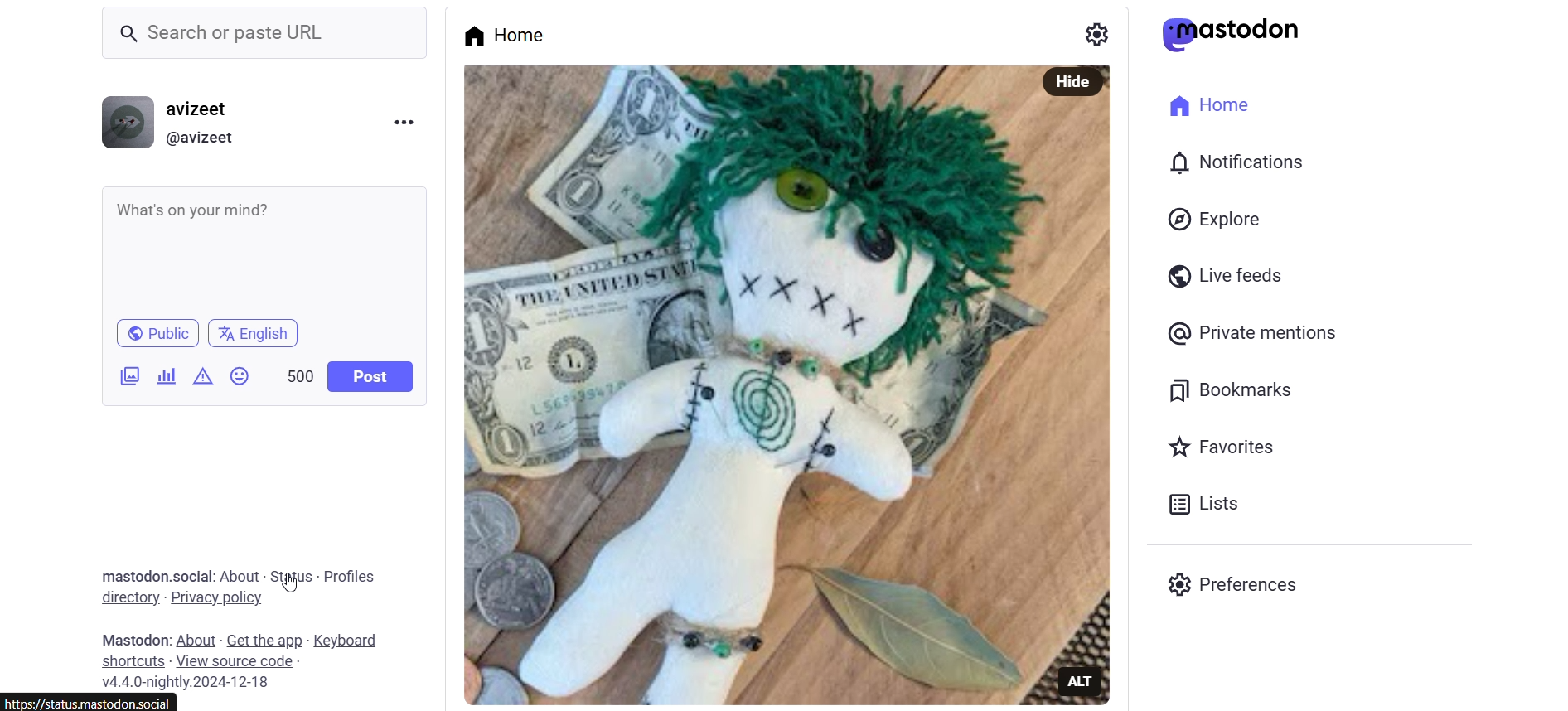 This screenshot has width=1568, height=711. I want to click on profiles, so click(356, 575).